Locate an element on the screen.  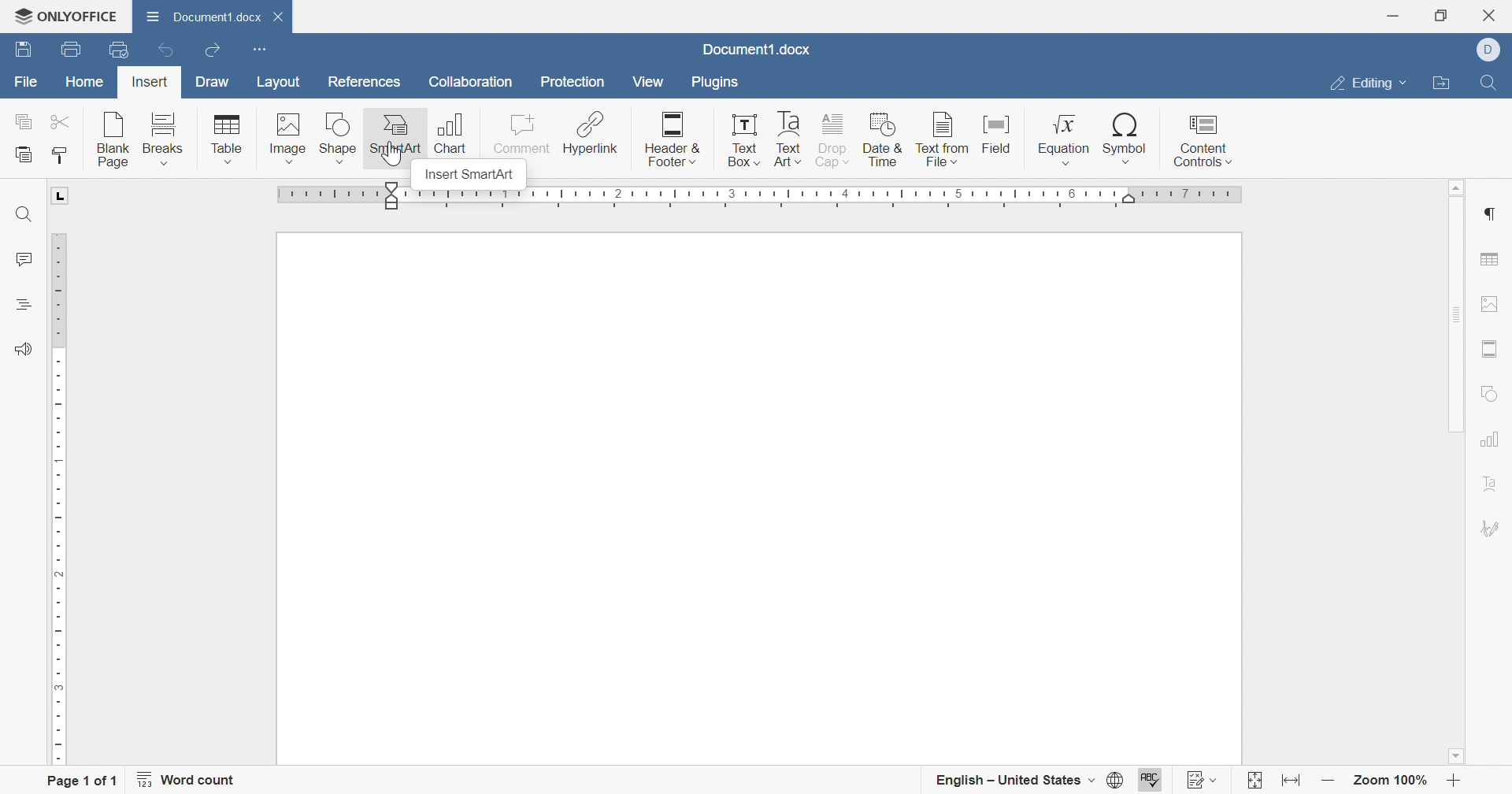
Zoom 100% is located at coordinates (1392, 778).